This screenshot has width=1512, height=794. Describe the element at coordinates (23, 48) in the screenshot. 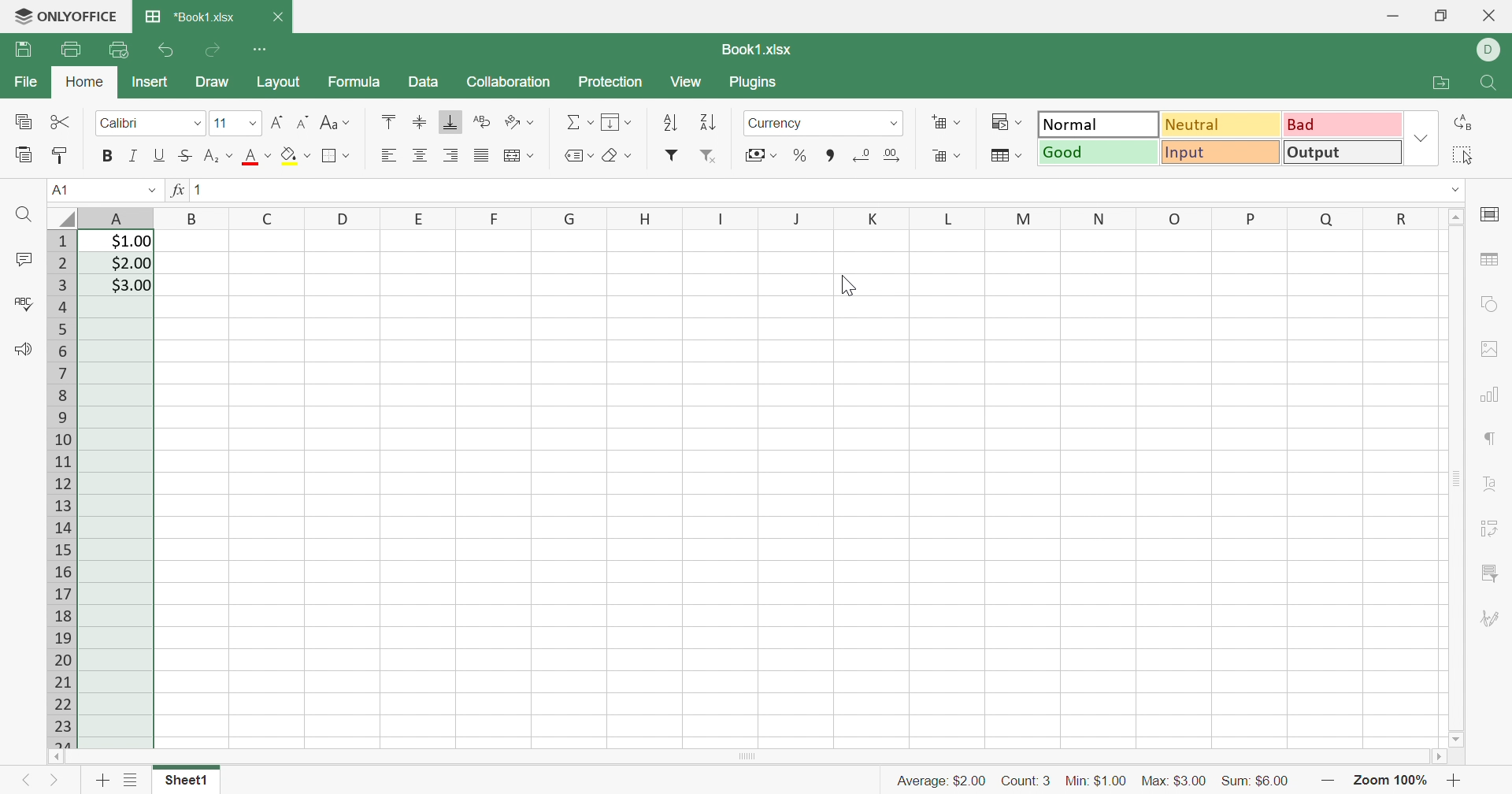

I see `Save` at that location.